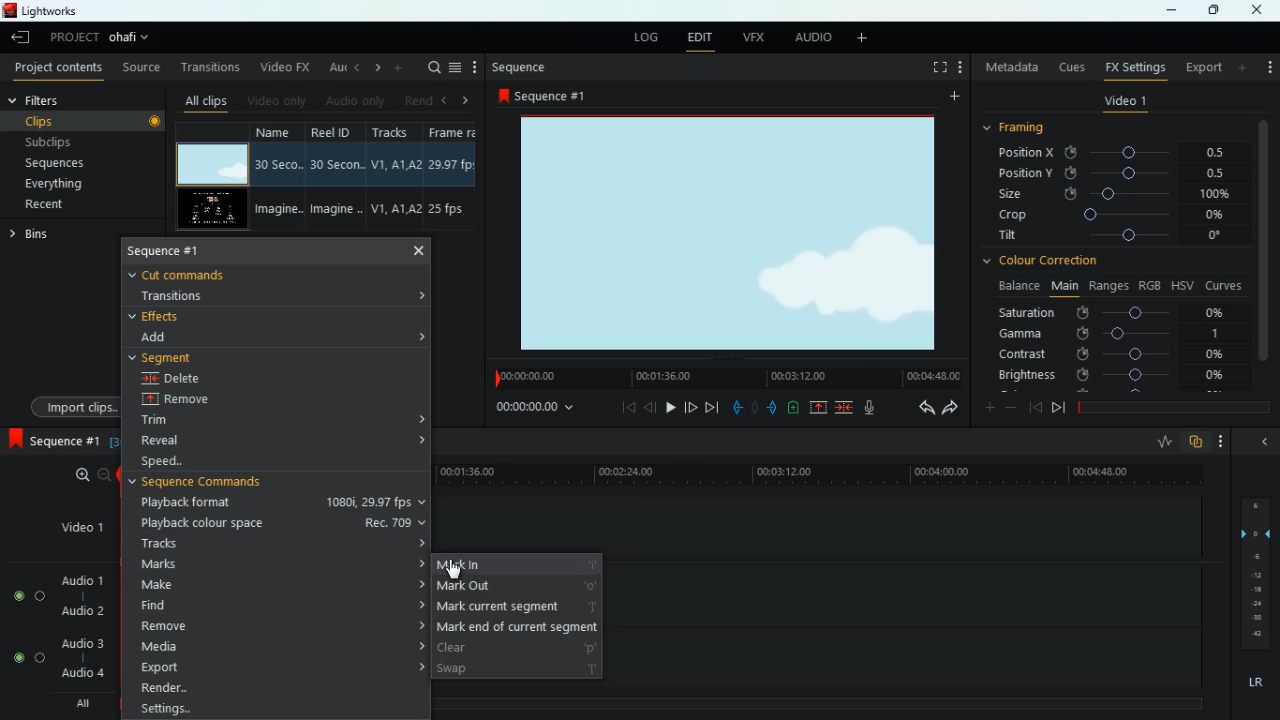 This screenshot has width=1280, height=720. What do you see at coordinates (1171, 407) in the screenshot?
I see `timeline` at bounding box center [1171, 407].